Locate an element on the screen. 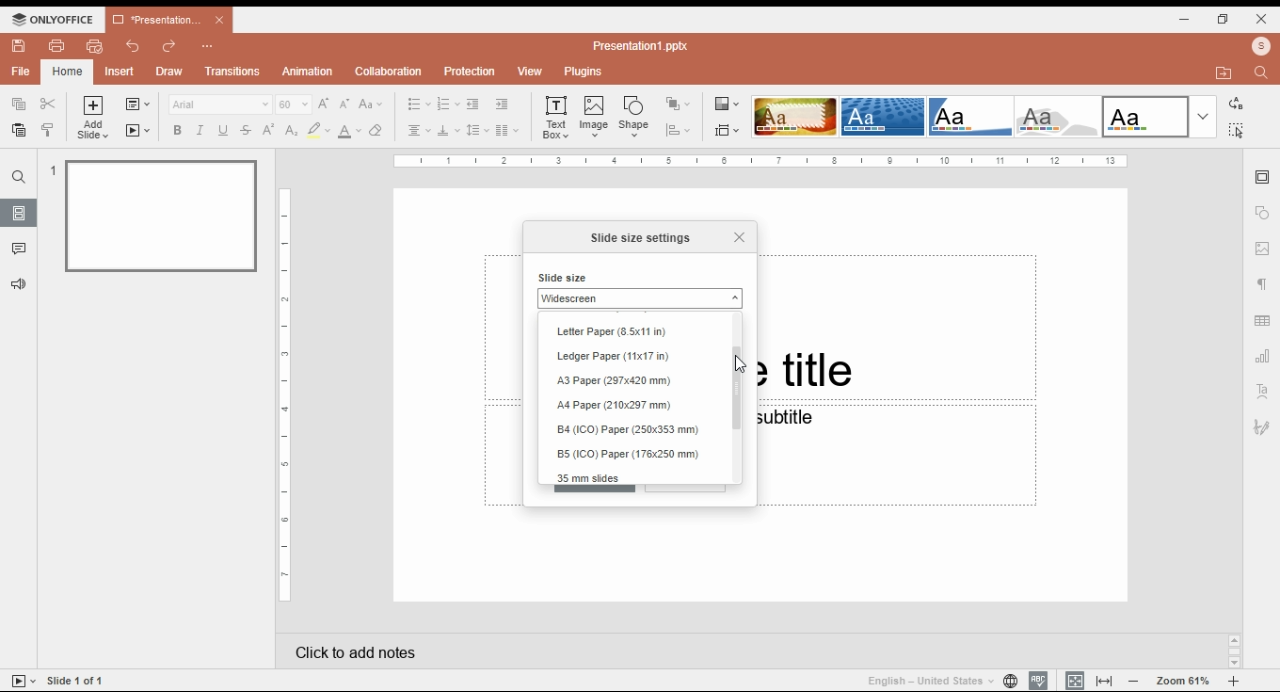 The image size is (1280, 692). undo is located at coordinates (134, 46).